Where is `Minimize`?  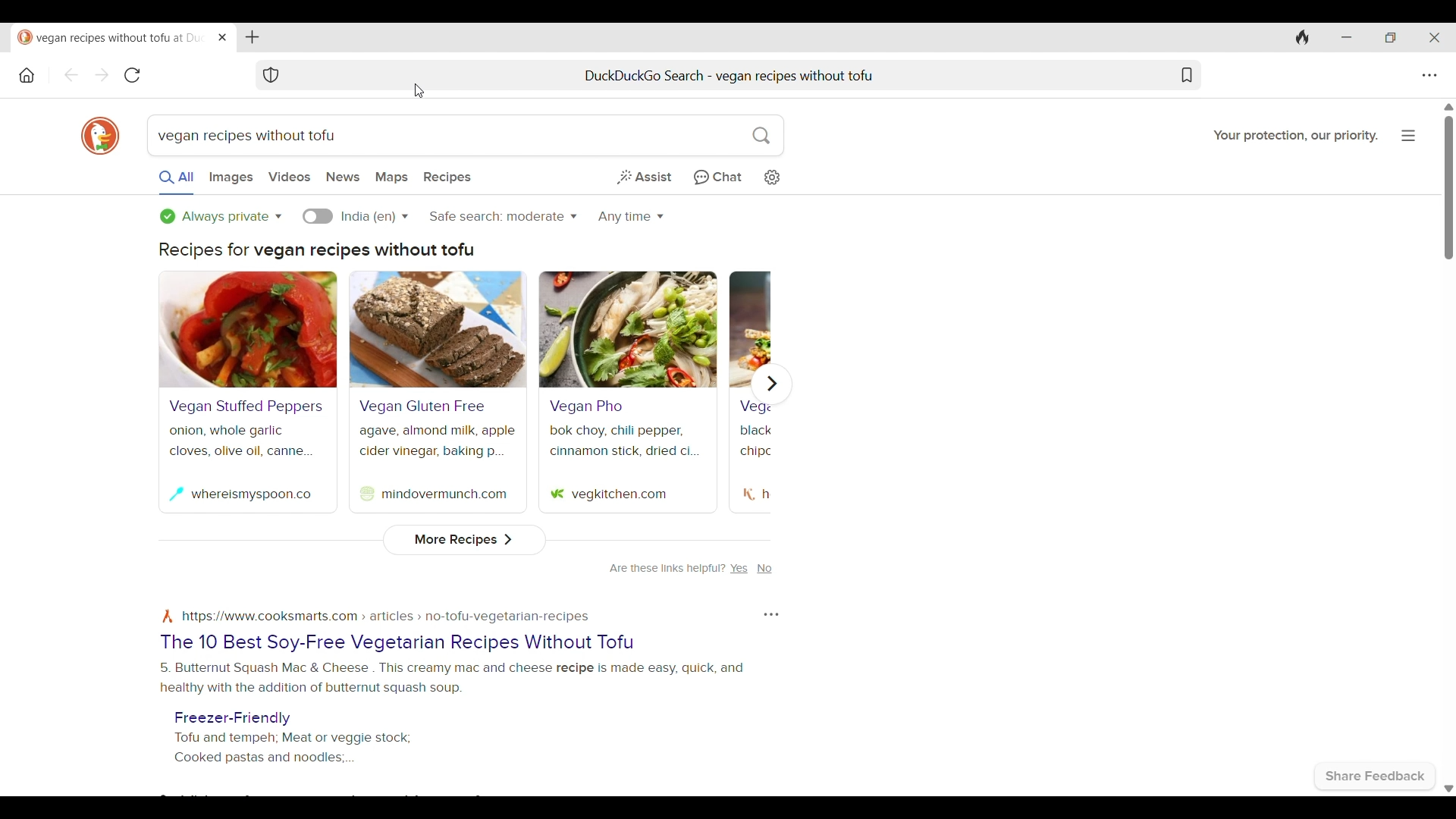
Minimize is located at coordinates (1346, 38).